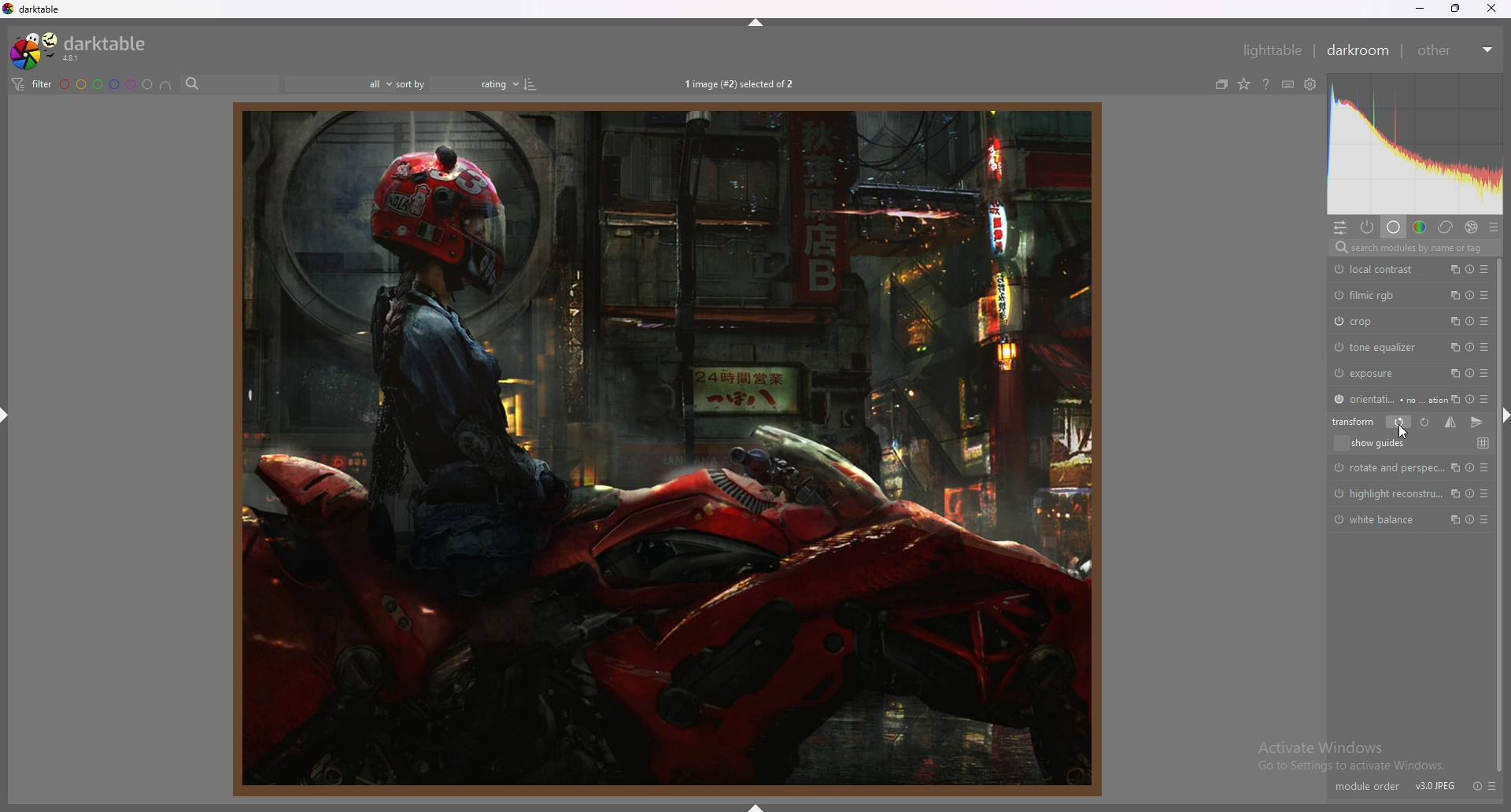 The height and width of the screenshot is (812, 1511). Describe the element at coordinates (1451, 269) in the screenshot. I see `multiple instances action` at that location.